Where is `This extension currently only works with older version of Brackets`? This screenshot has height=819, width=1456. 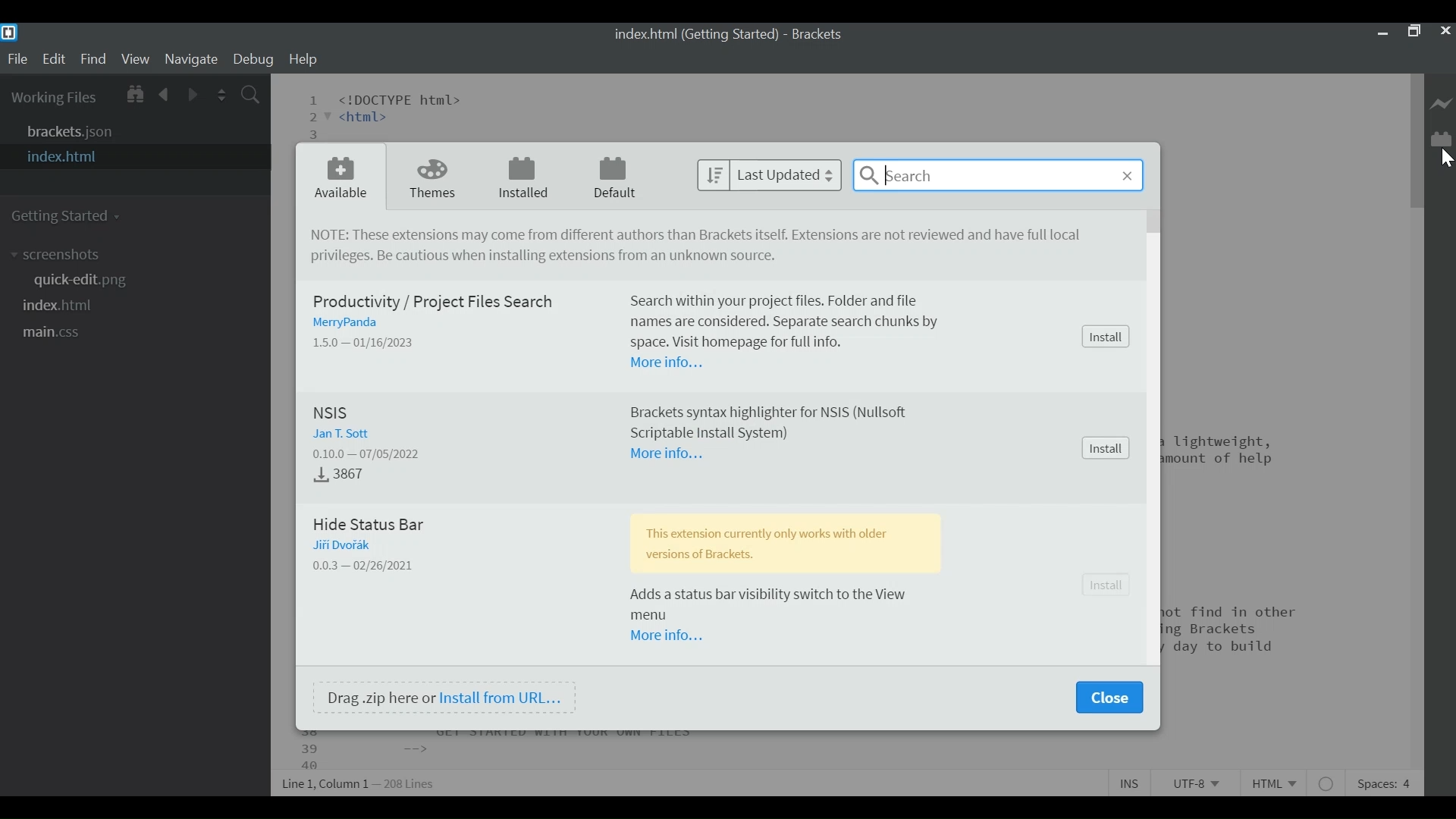 This extension currently only works with older version of Brackets is located at coordinates (785, 544).